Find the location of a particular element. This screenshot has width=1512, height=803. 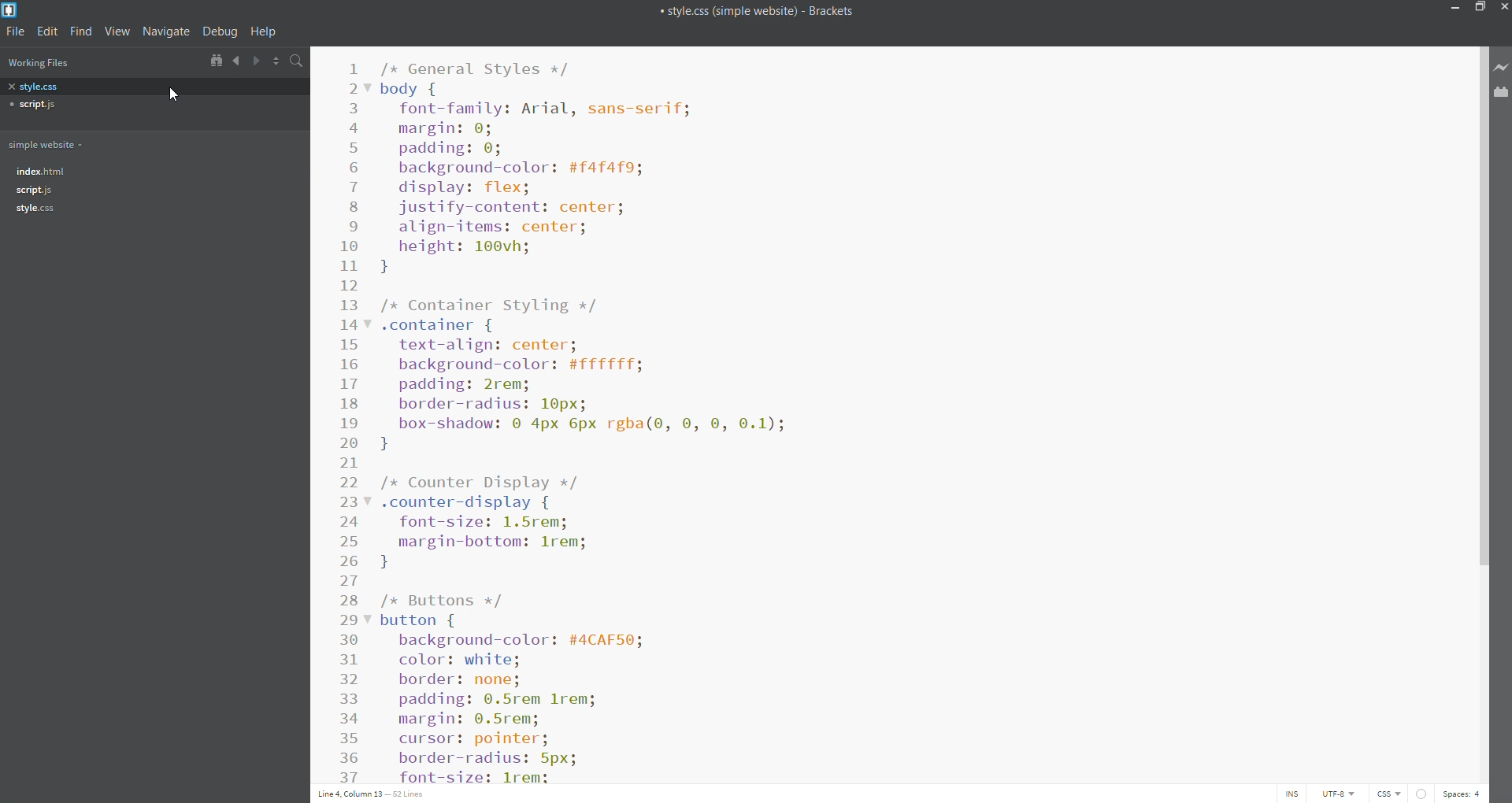

cursor is located at coordinates (176, 93).